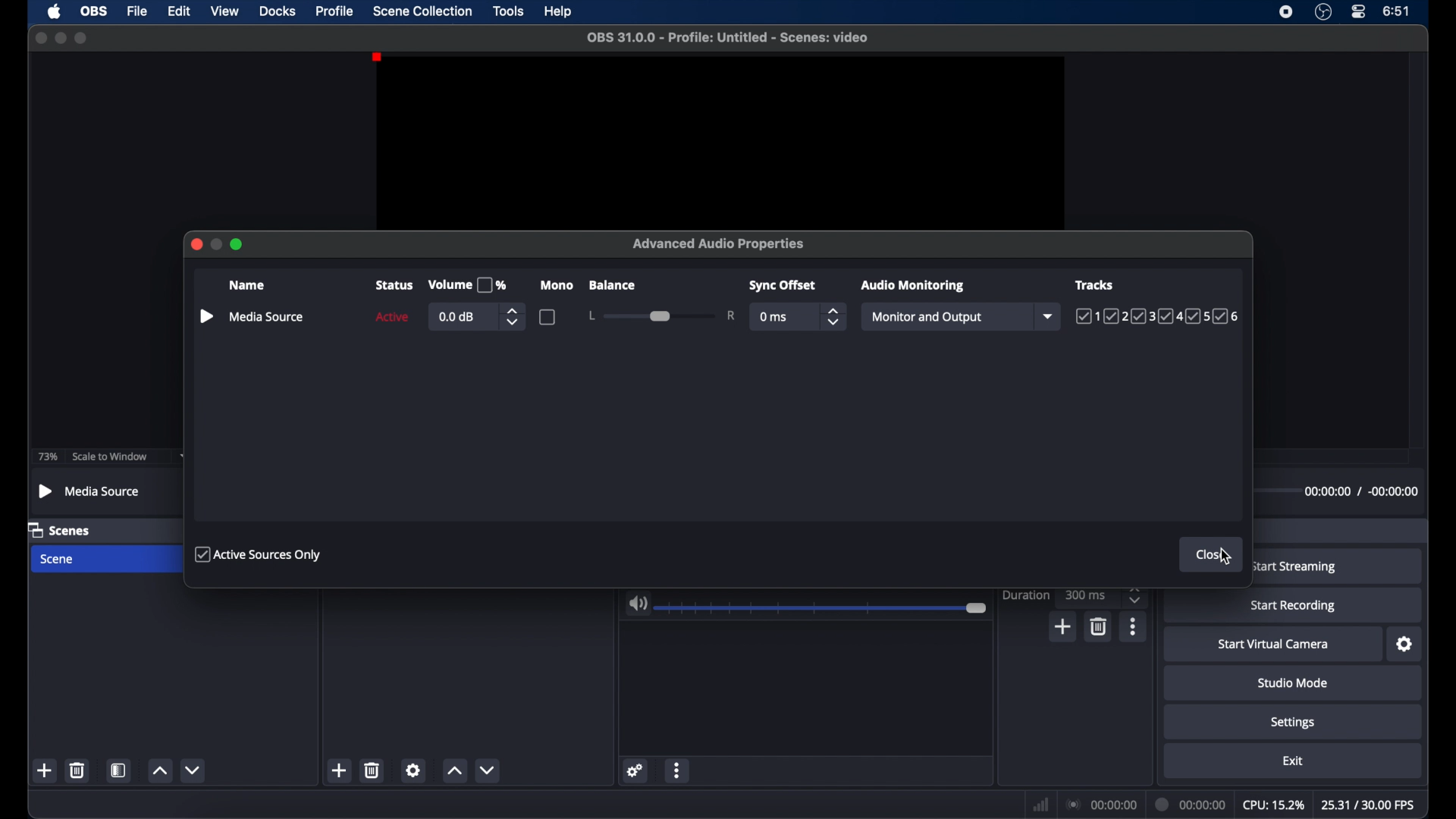 This screenshot has width=1456, height=819. I want to click on stepper buttons, so click(1136, 595).